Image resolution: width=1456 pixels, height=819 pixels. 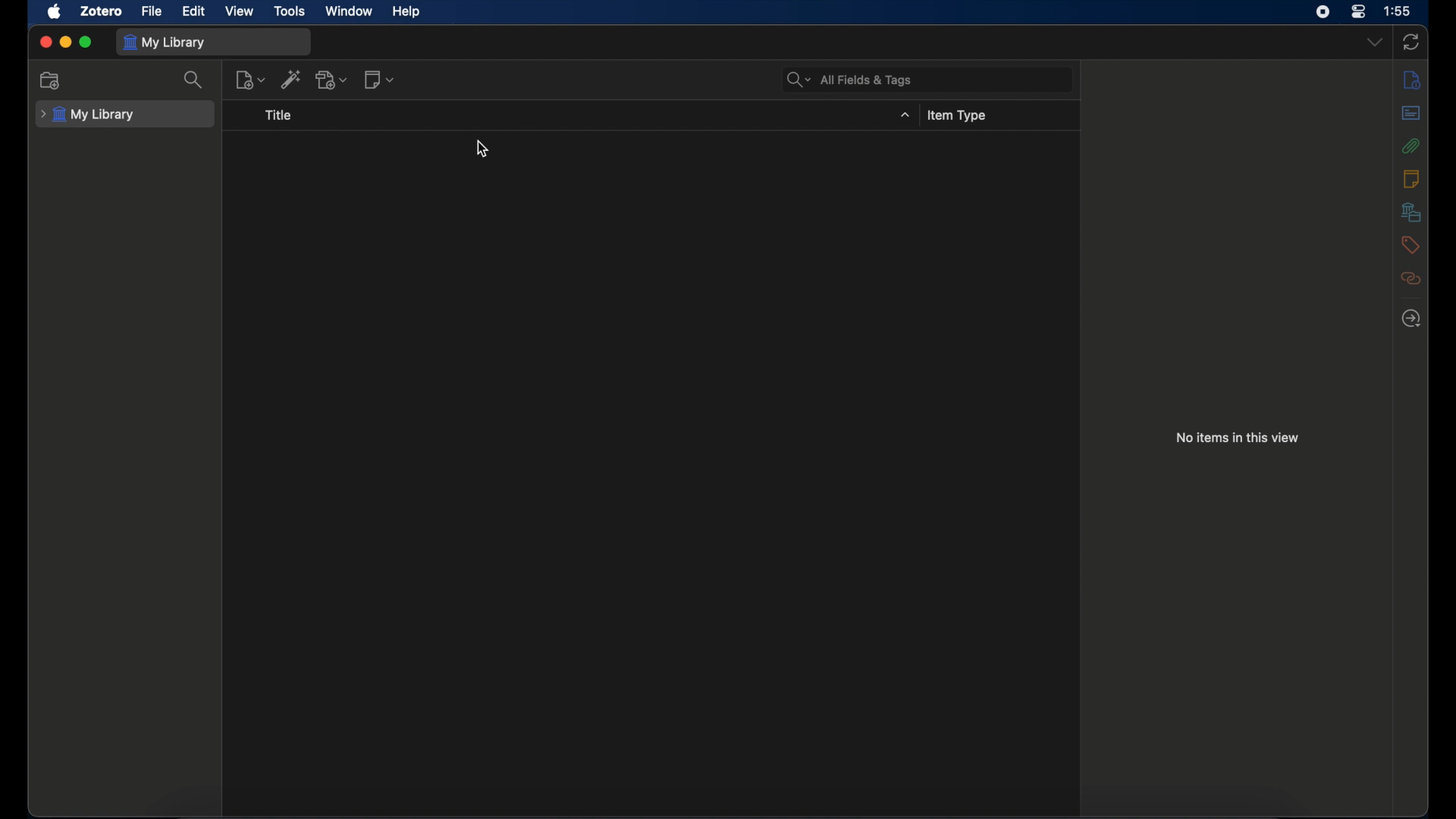 What do you see at coordinates (100, 11) in the screenshot?
I see `zotero` at bounding box center [100, 11].